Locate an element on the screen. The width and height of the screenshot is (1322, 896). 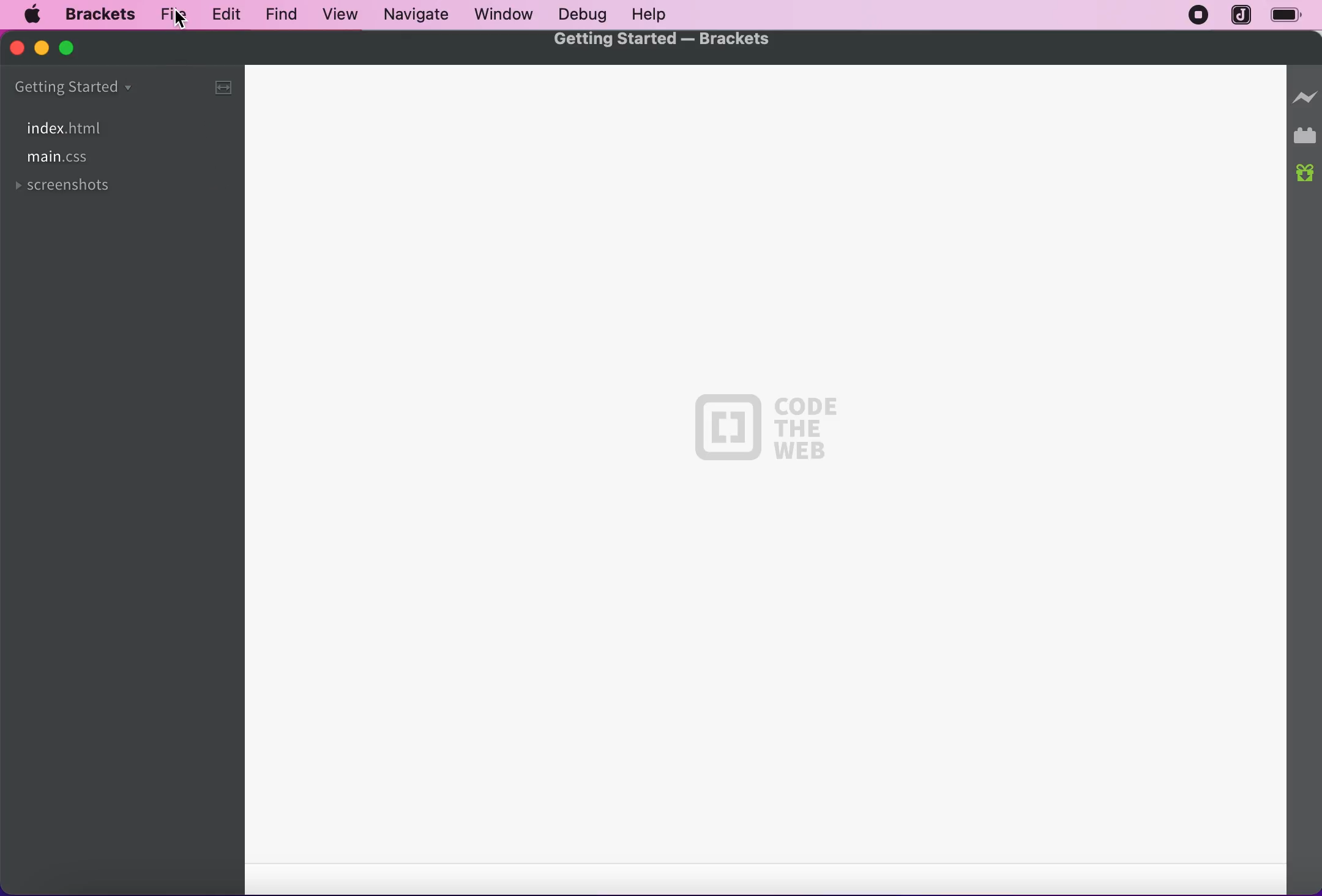
getting started is located at coordinates (103, 88).